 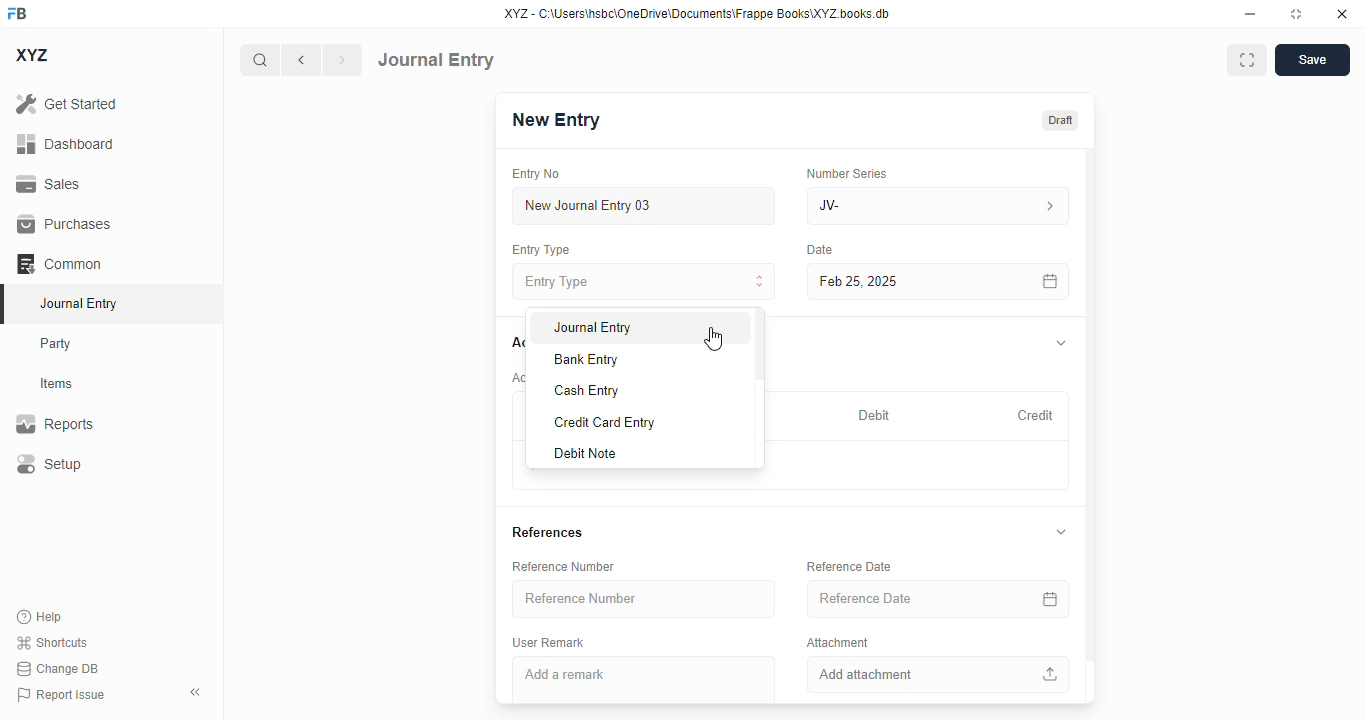 What do you see at coordinates (910, 282) in the screenshot?
I see `feb 25, 2025` at bounding box center [910, 282].